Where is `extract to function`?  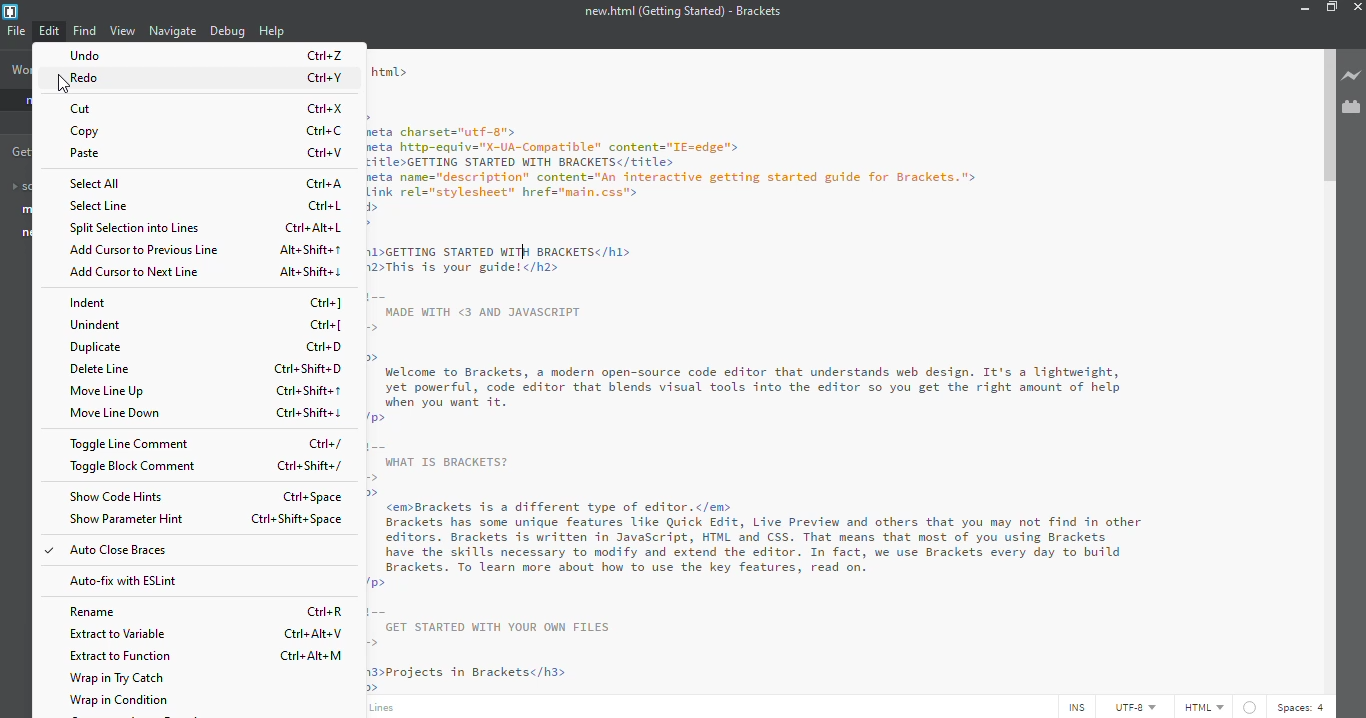
extract to function is located at coordinates (122, 657).